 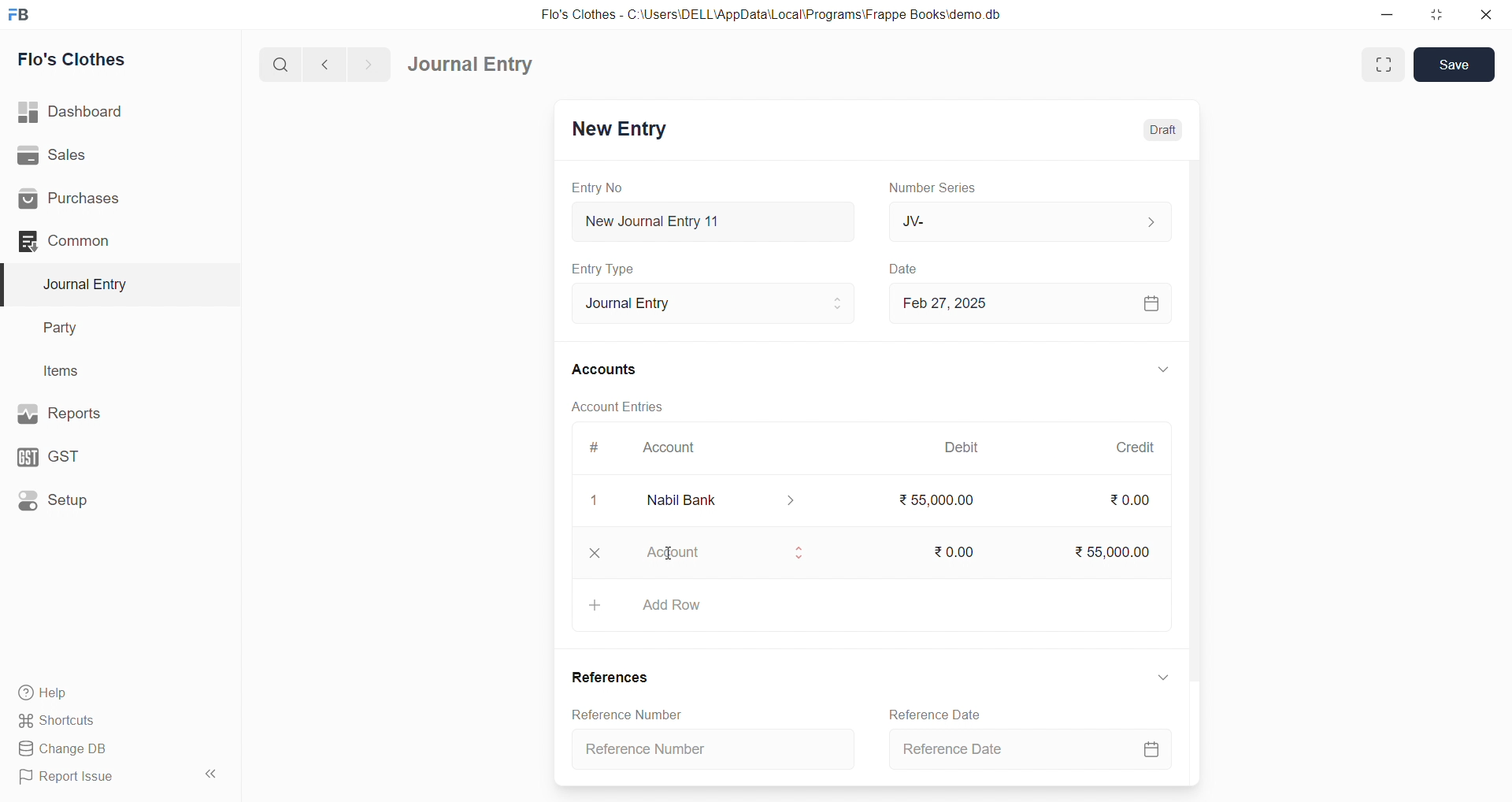 I want to click on #, so click(x=594, y=447).